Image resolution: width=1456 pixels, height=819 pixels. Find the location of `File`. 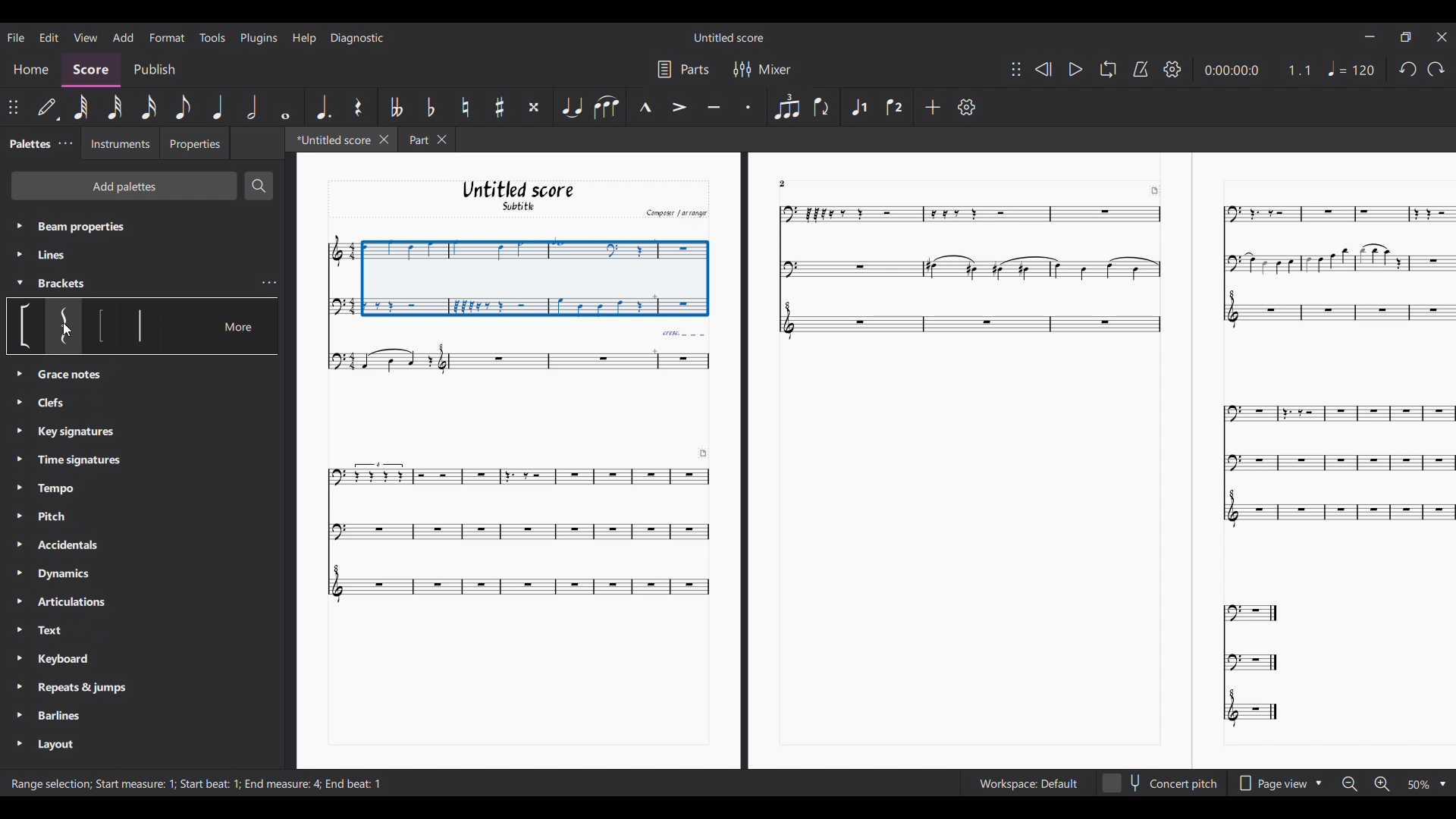

File is located at coordinates (16, 36).